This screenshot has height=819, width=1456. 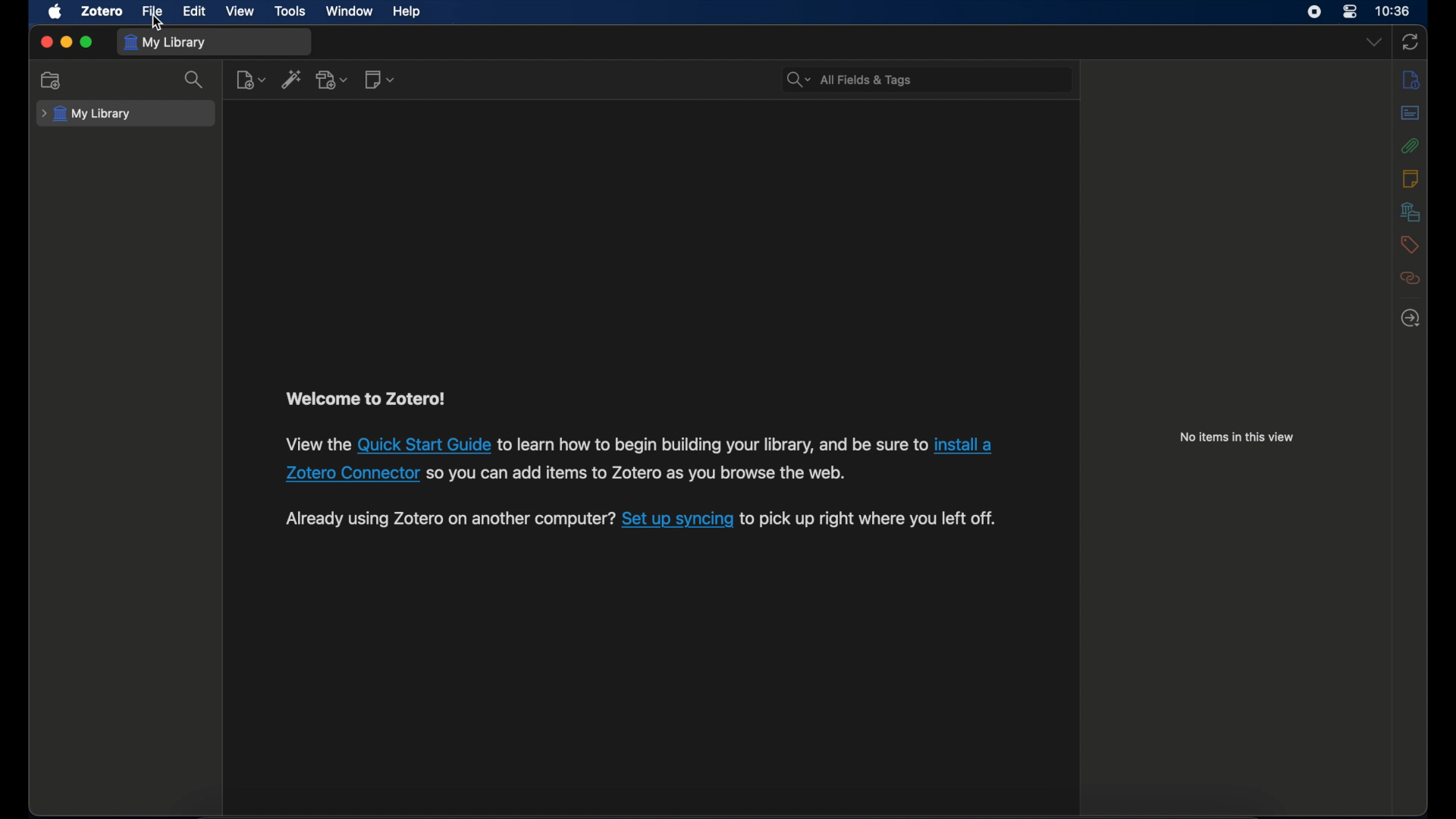 What do you see at coordinates (153, 11) in the screenshot?
I see `file` at bounding box center [153, 11].